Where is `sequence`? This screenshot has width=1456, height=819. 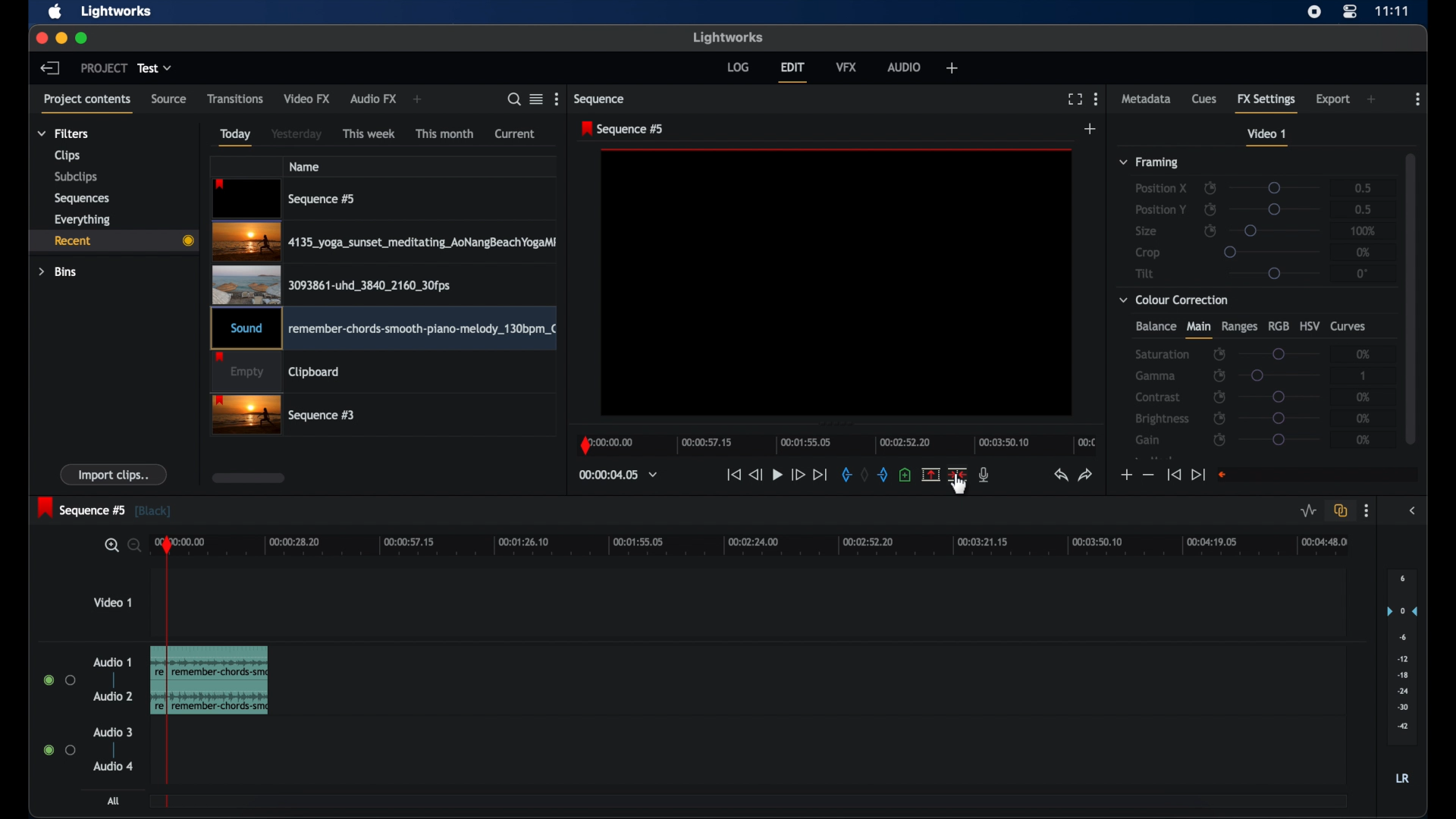 sequence is located at coordinates (600, 99).